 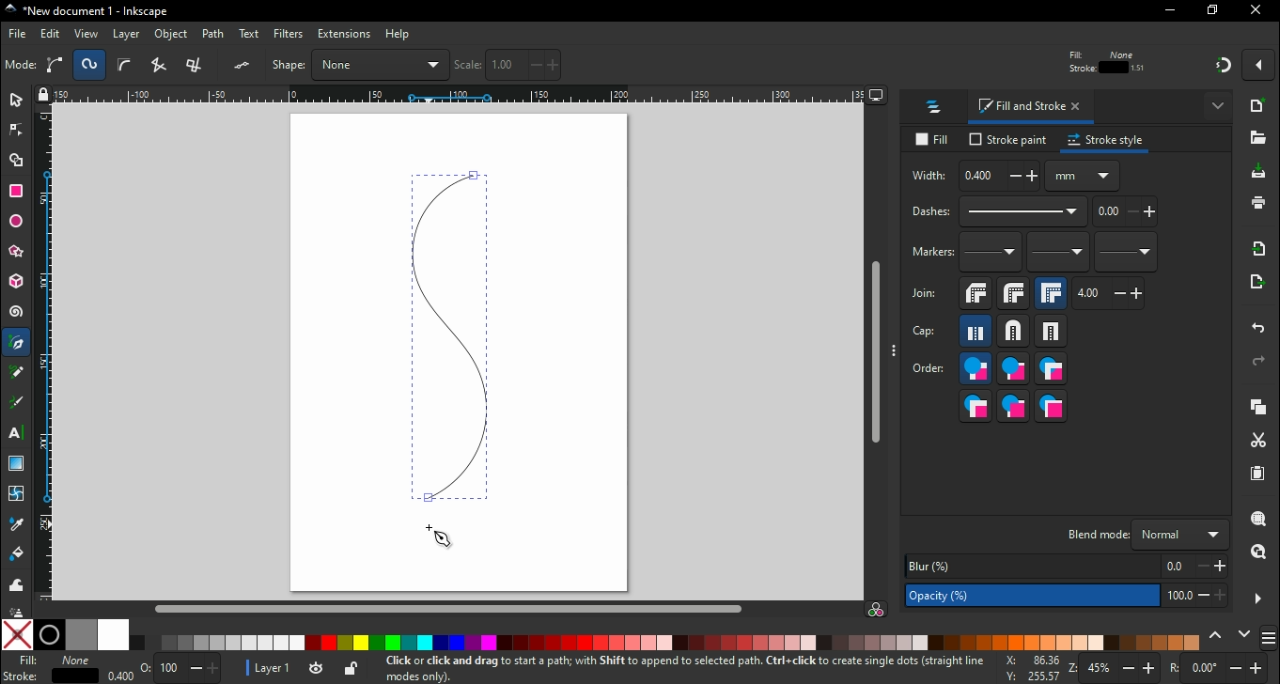 What do you see at coordinates (198, 65) in the screenshot?
I see `create a sequence of paraxial line segments` at bounding box center [198, 65].